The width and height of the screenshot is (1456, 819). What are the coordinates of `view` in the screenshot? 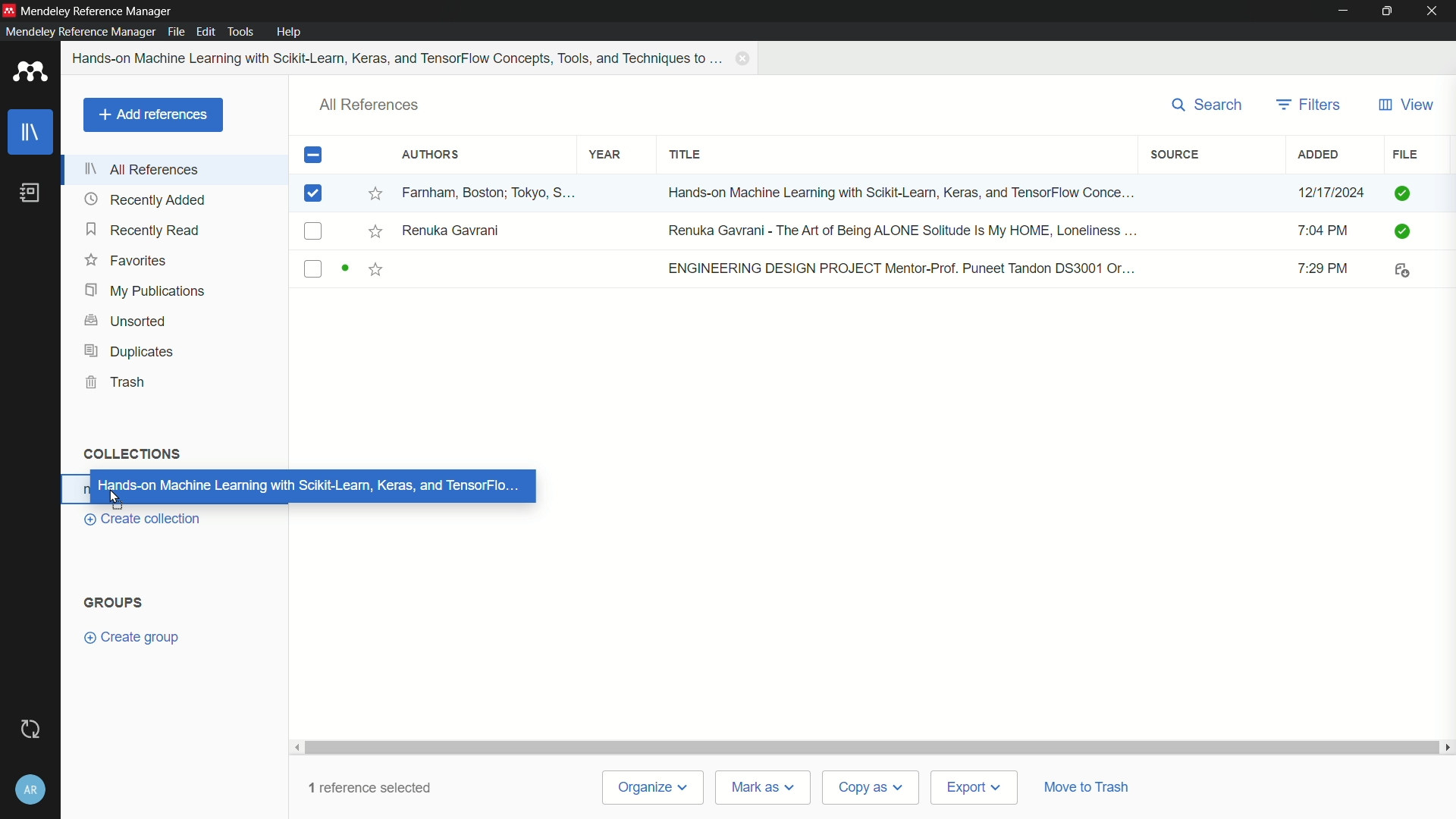 It's located at (1405, 105).